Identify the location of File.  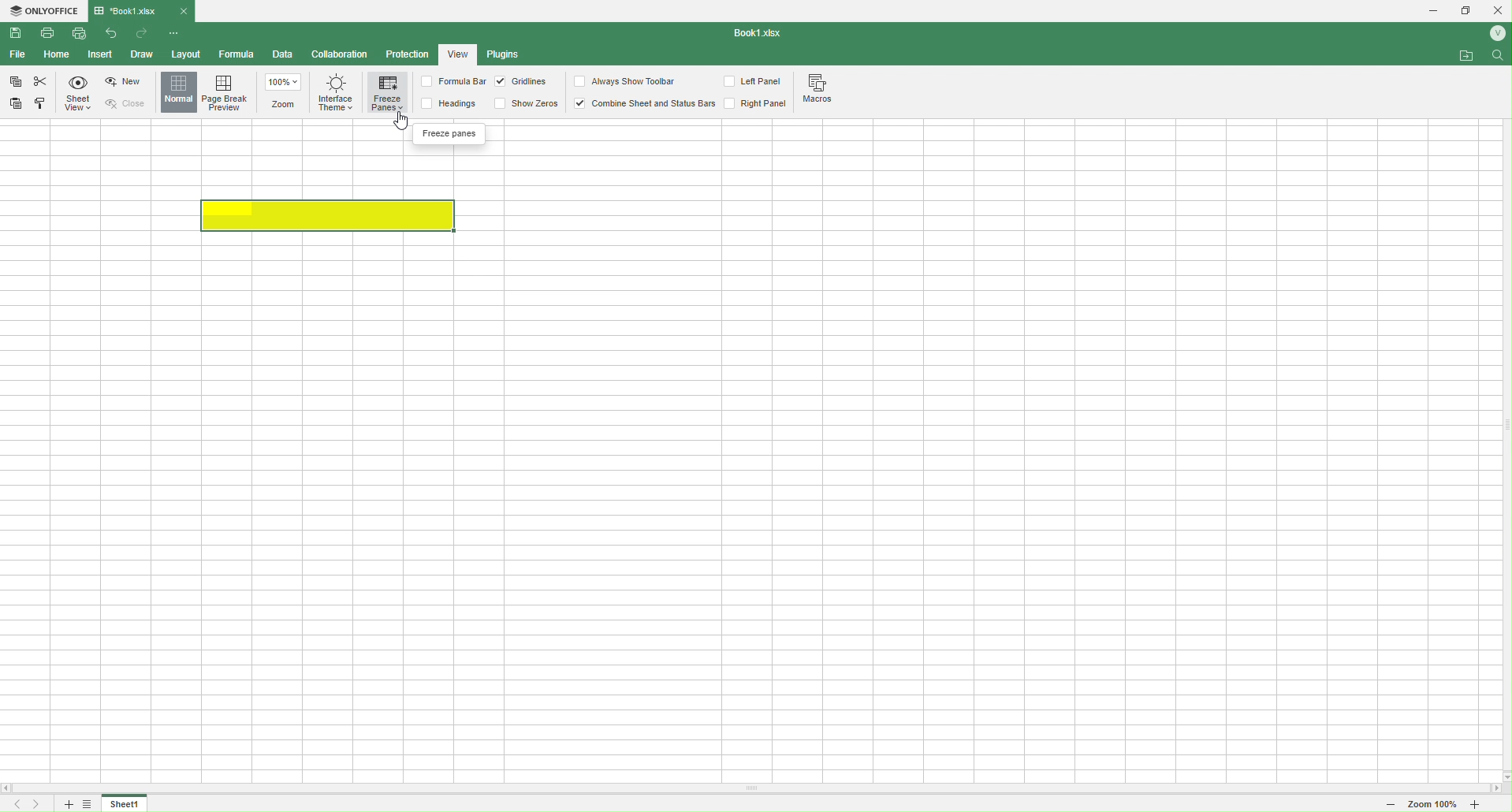
(17, 54).